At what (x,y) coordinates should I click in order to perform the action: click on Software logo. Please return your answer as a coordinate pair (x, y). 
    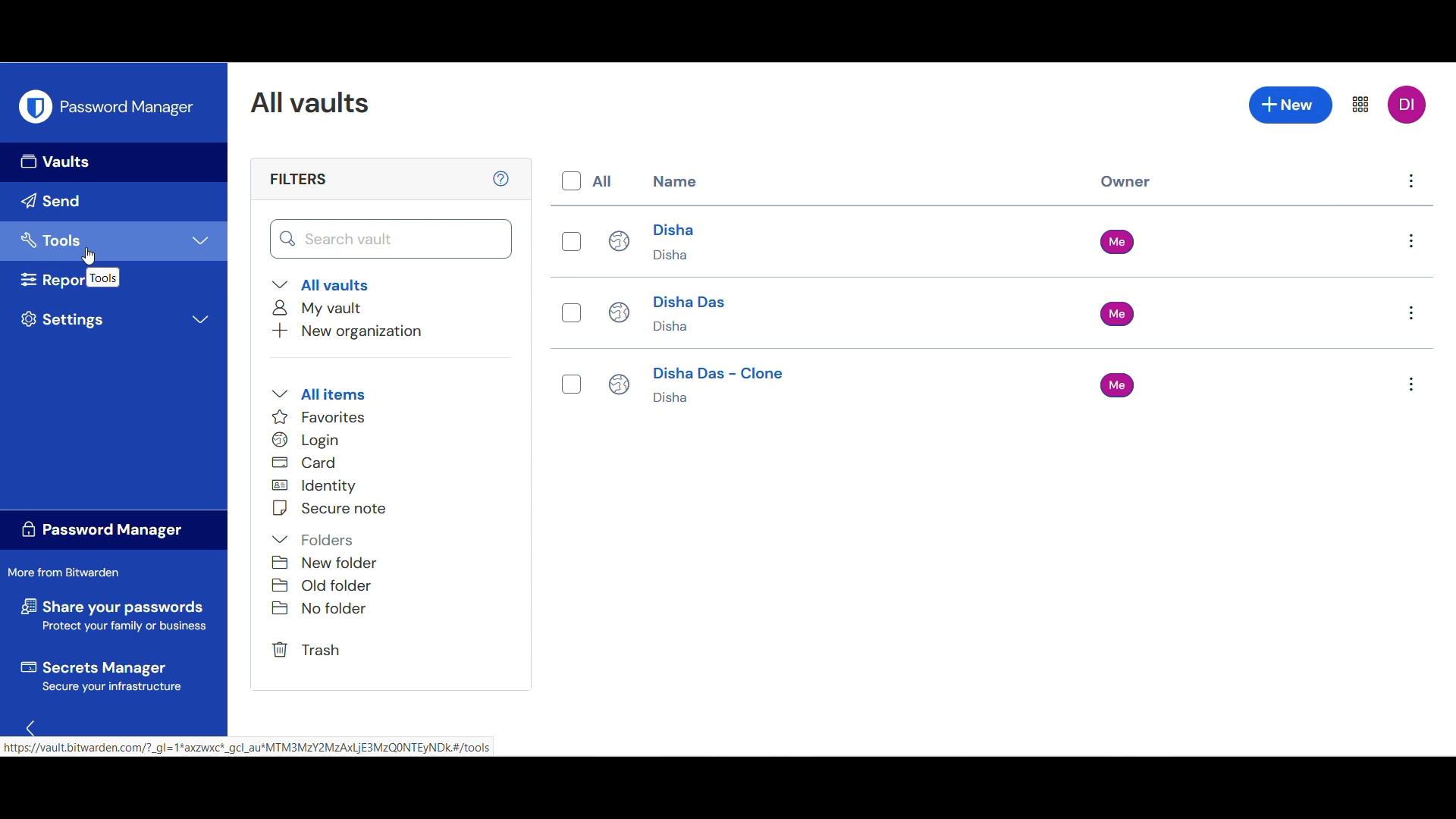
    Looking at the image, I should click on (36, 106).